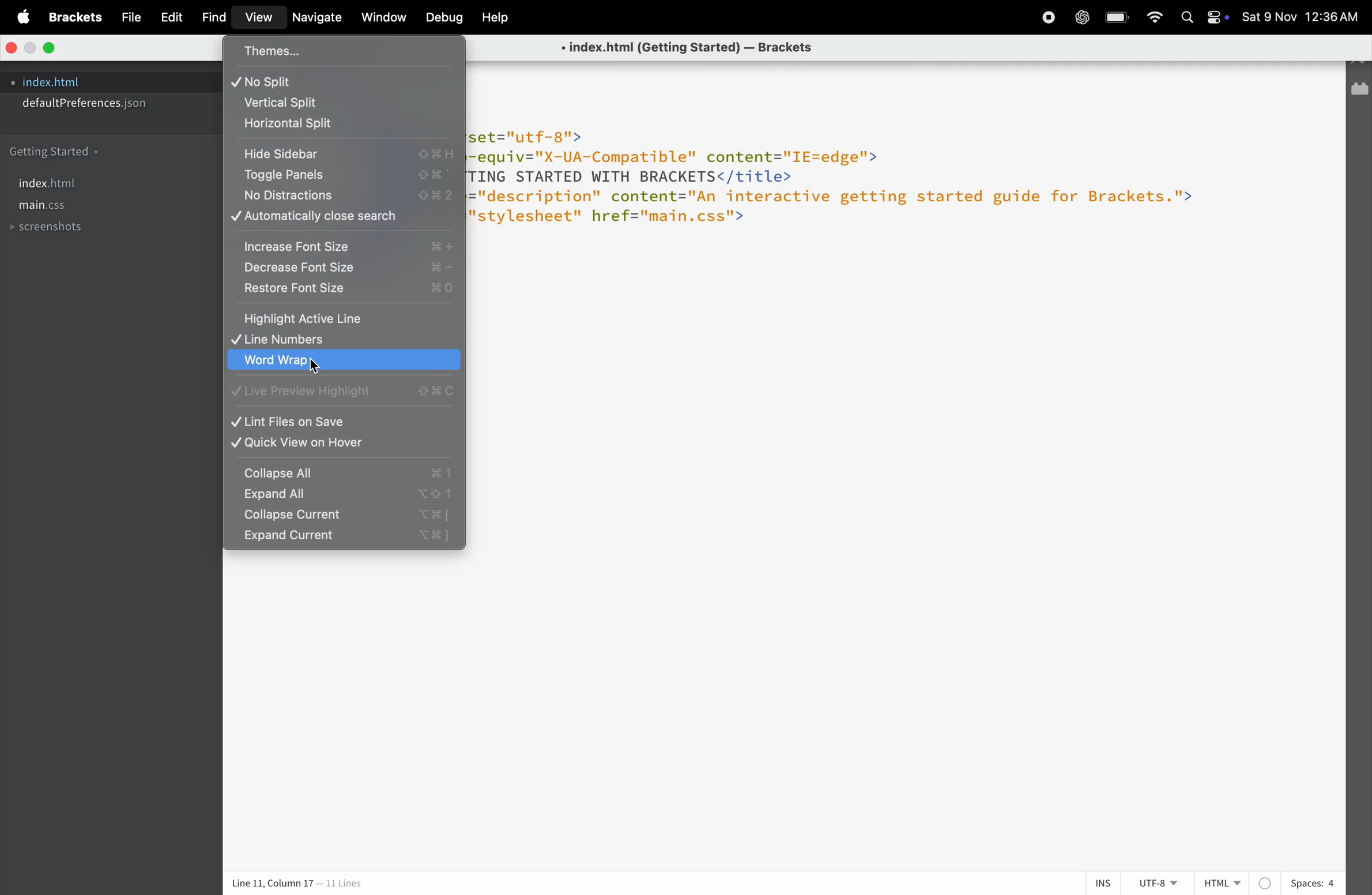 Image resolution: width=1372 pixels, height=895 pixels. Describe the element at coordinates (318, 51) in the screenshot. I see `themes` at that location.